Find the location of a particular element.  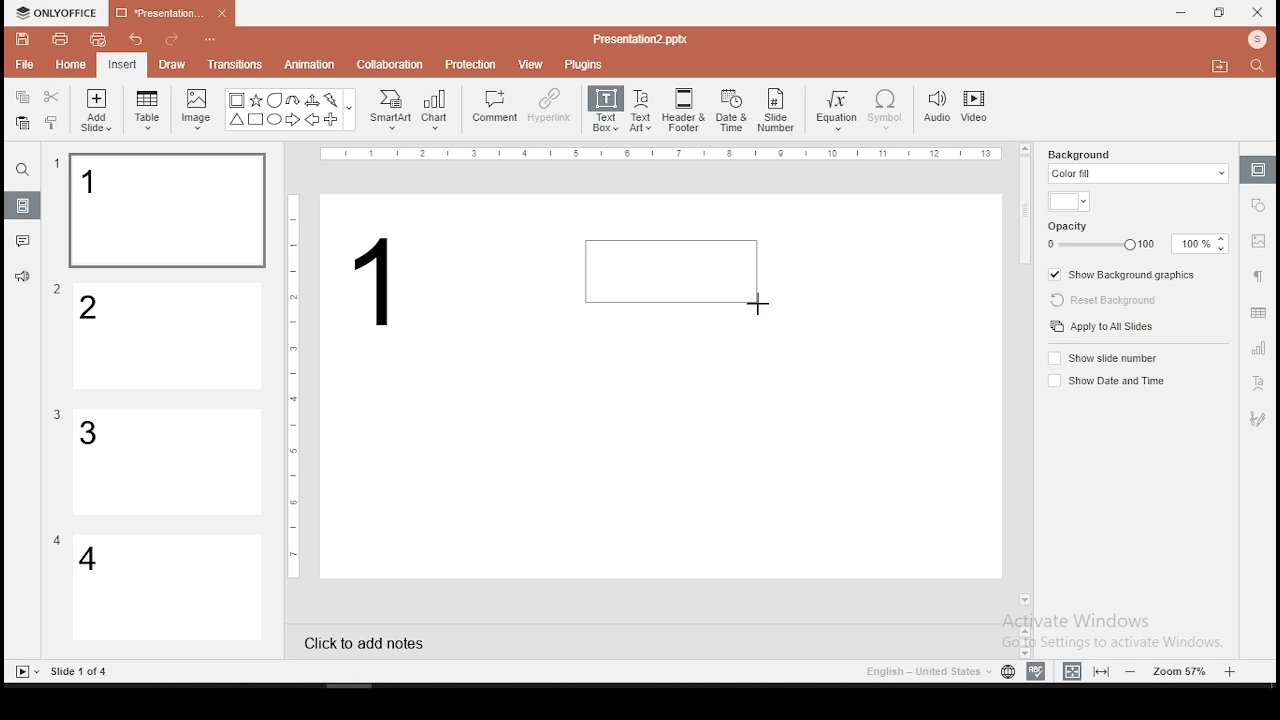

zoom level is located at coordinates (1183, 670).